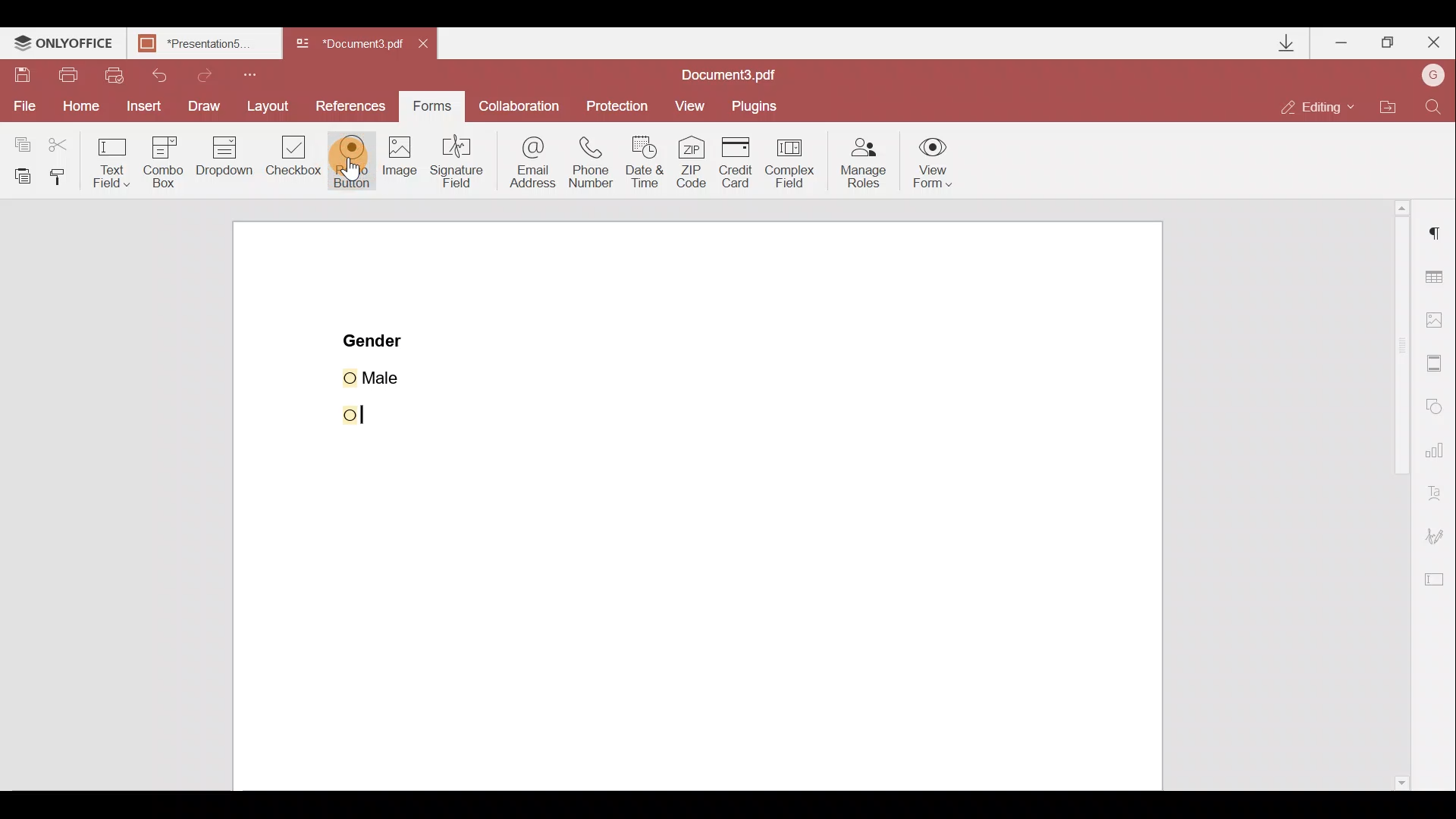 Image resolution: width=1456 pixels, height=819 pixels. What do you see at coordinates (1437, 456) in the screenshot?
I see `Chart settings` at bounding box center [1437, 456].